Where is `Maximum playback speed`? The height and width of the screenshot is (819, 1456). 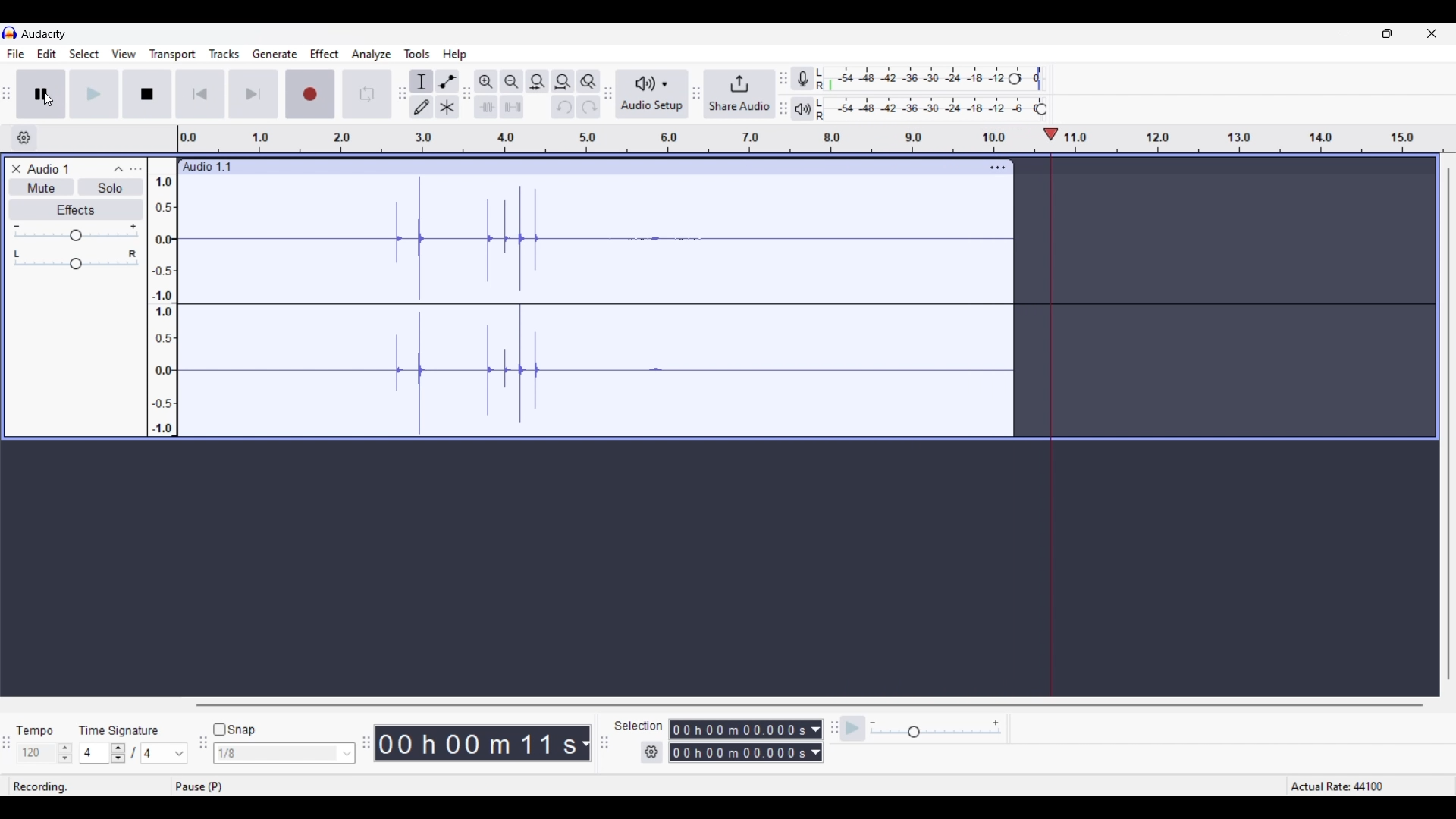 Maximum playback speed is located at coordinates (996, 723).